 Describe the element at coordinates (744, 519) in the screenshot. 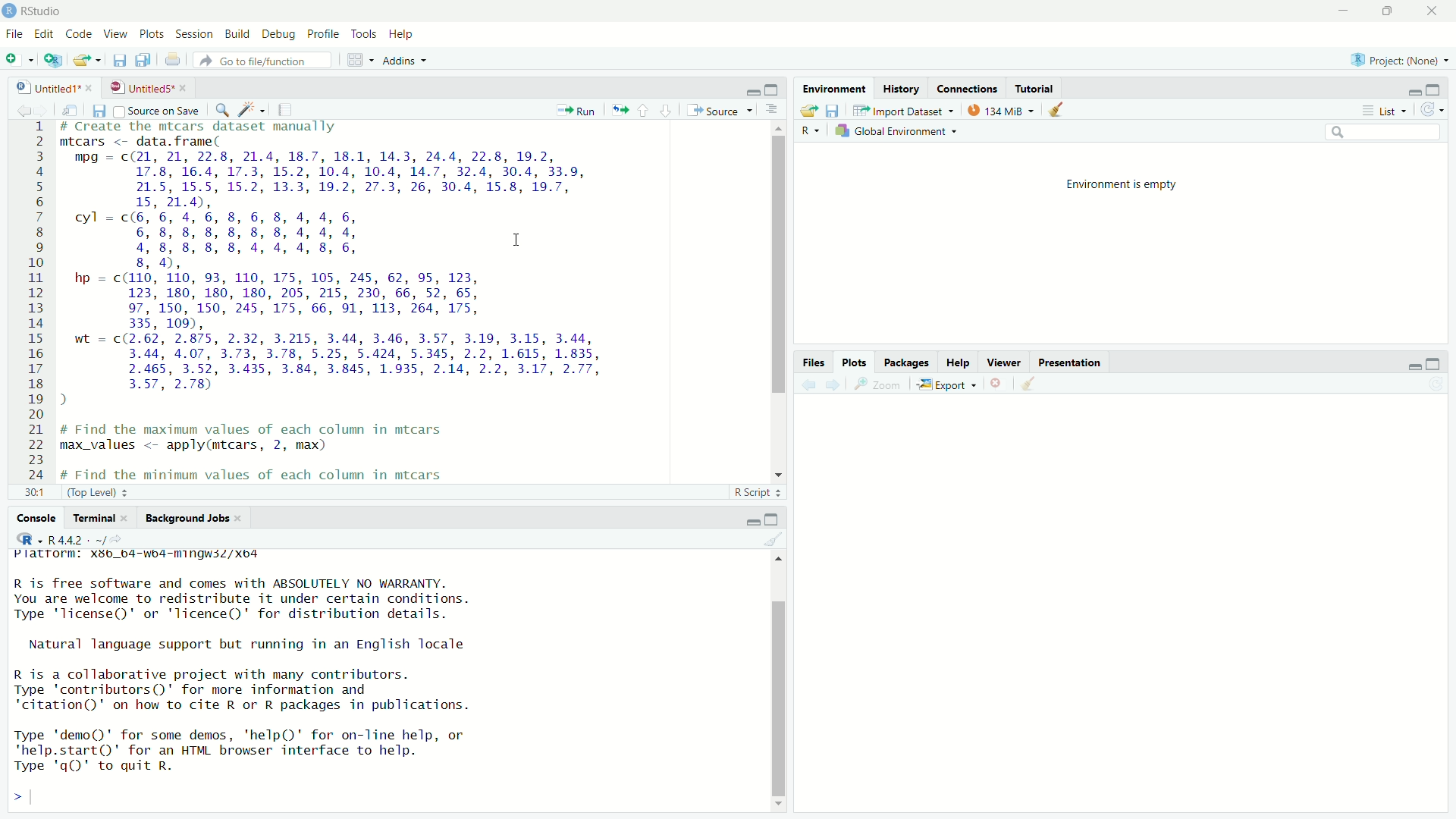

I see `minimise` at that location.